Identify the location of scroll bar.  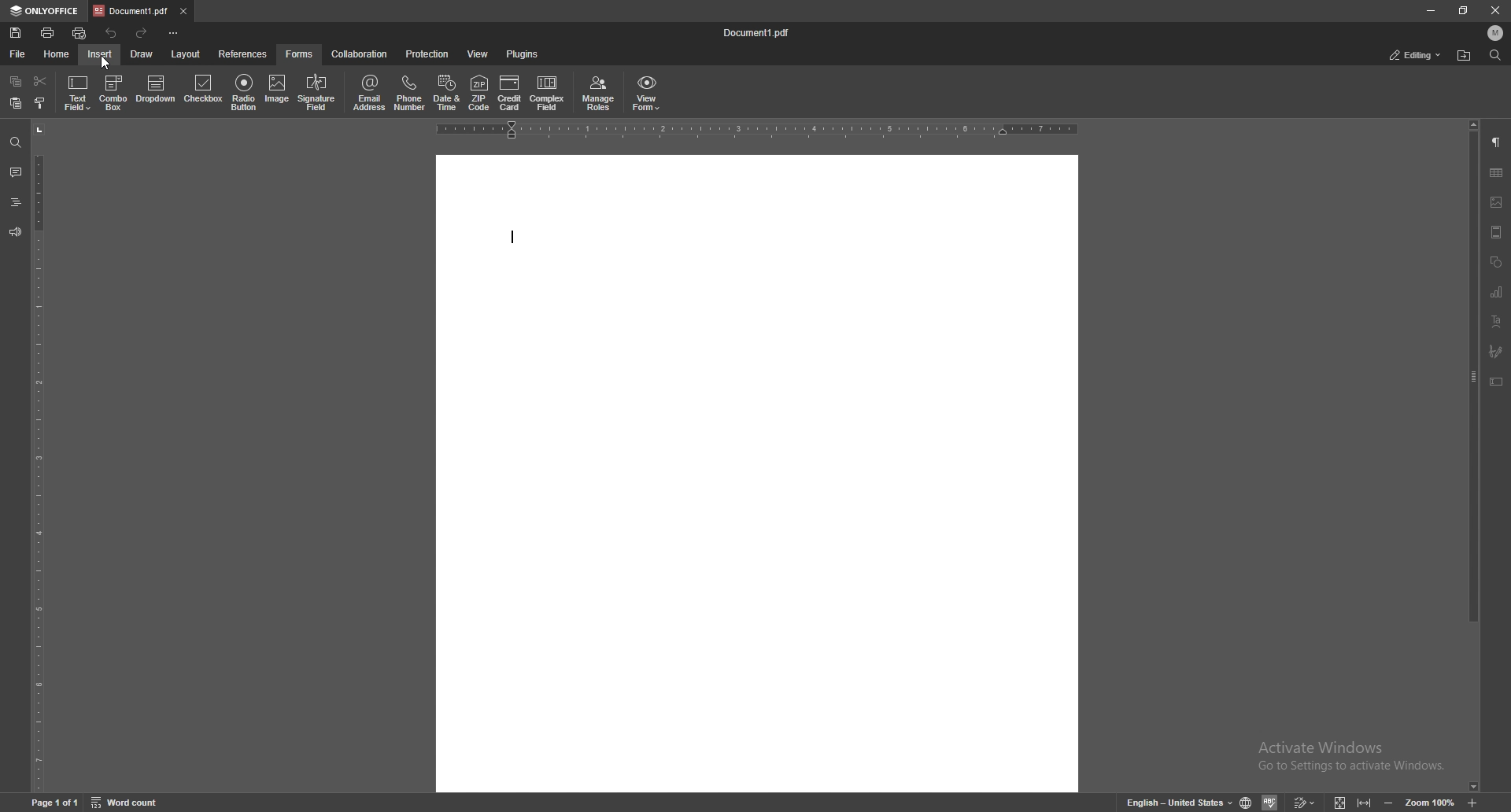
(1472, 456).